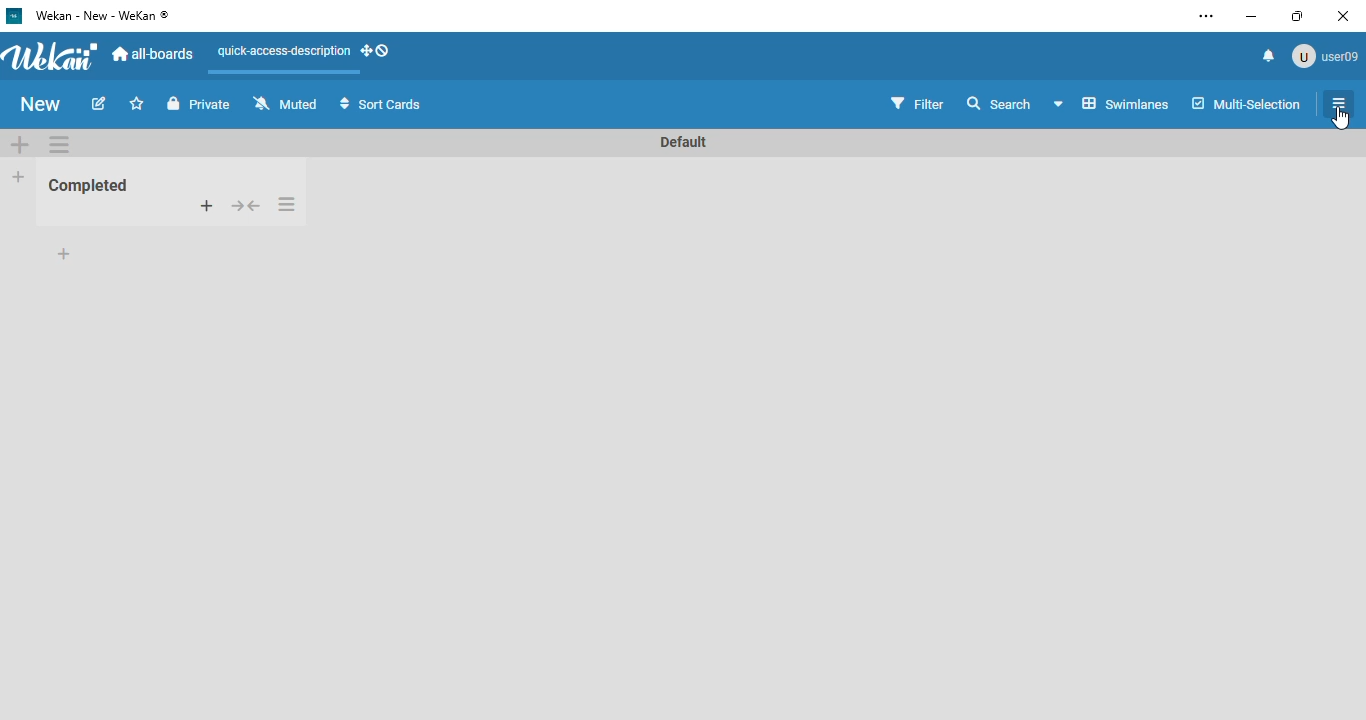 This screenshot has height=720, width=1366. I want to click on list actions, so click(1341, 101).